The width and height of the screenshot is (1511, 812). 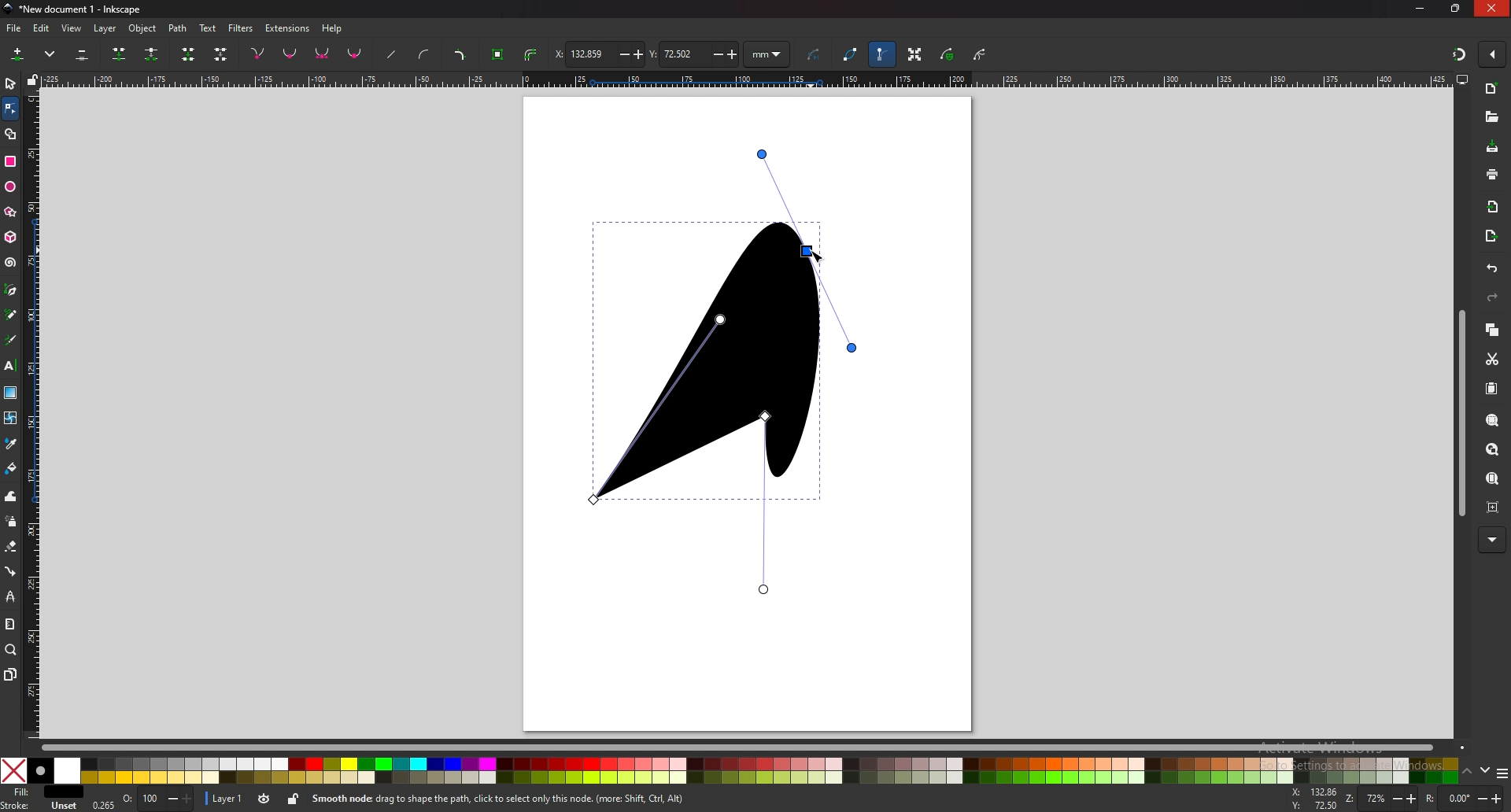 I want to click on gradient, so click(x=11, y=393).